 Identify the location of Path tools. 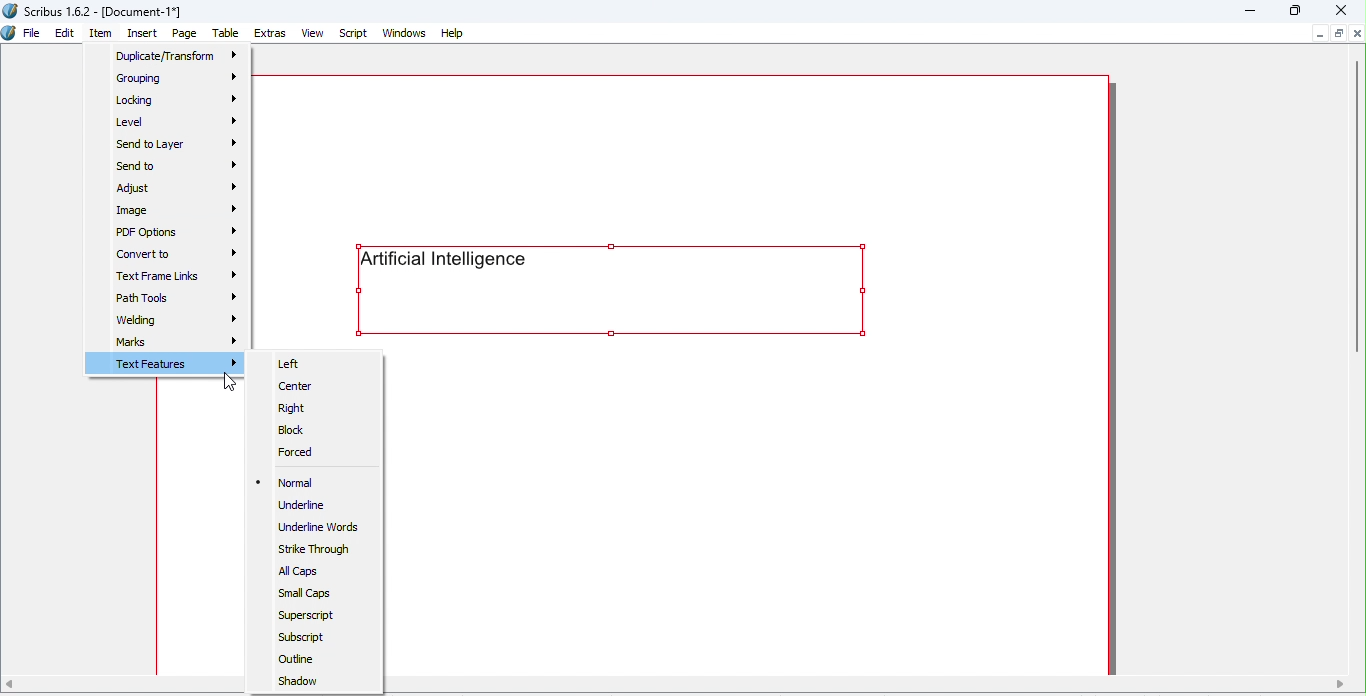
(181, 297).